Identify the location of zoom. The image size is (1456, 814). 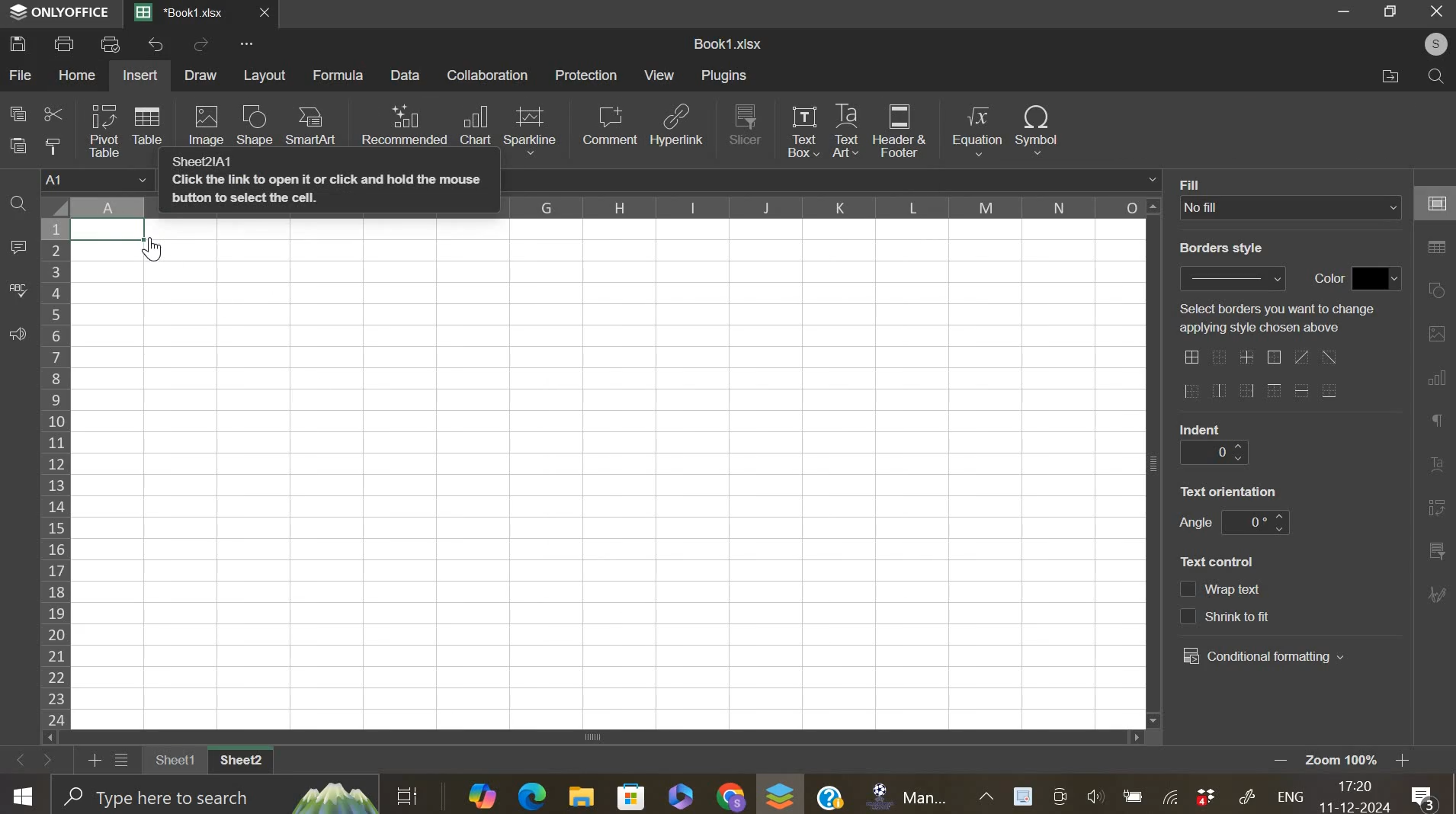
(1362, 761).